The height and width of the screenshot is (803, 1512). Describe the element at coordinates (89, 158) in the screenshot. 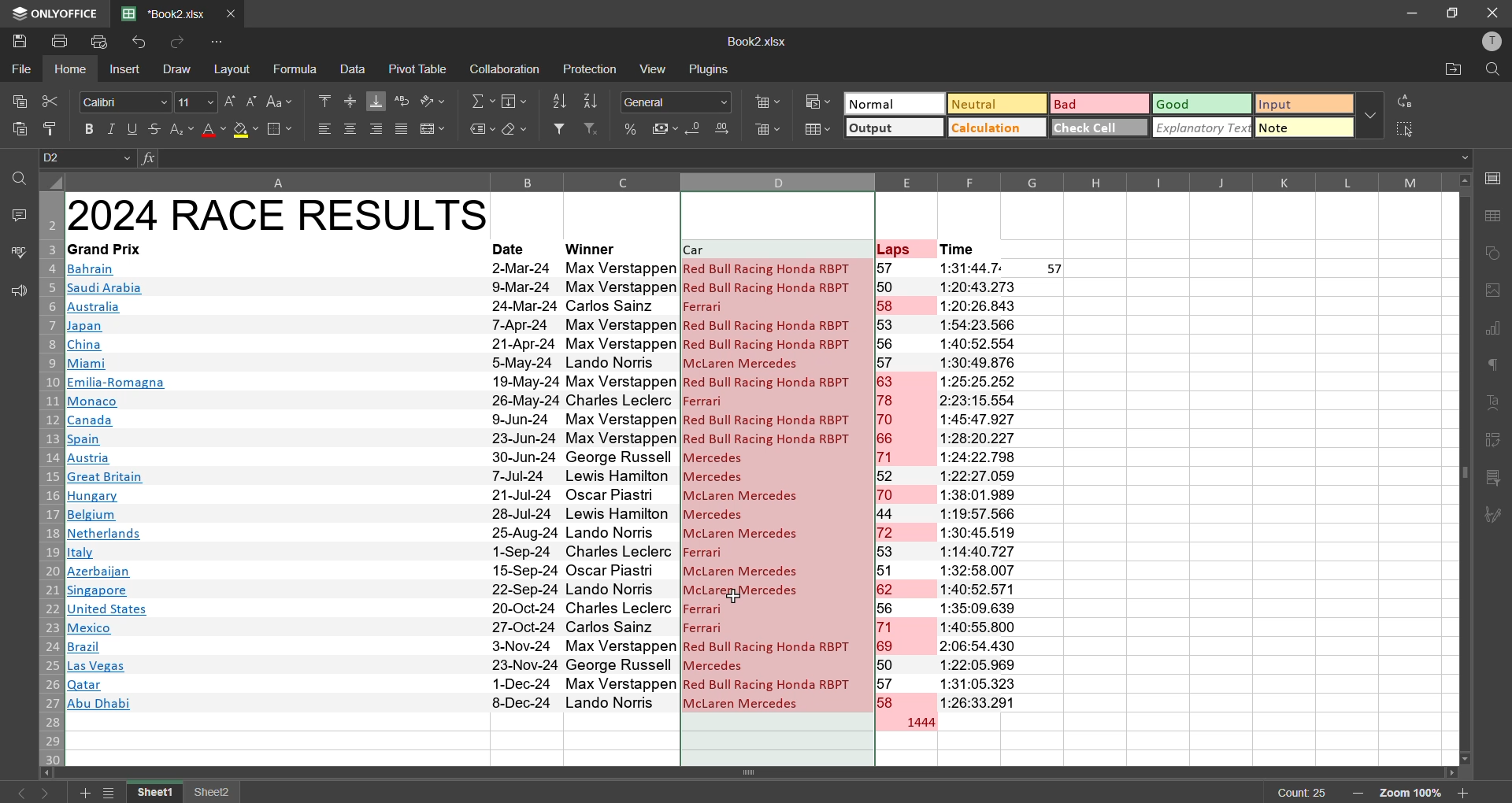

I see `cell address` at that location.